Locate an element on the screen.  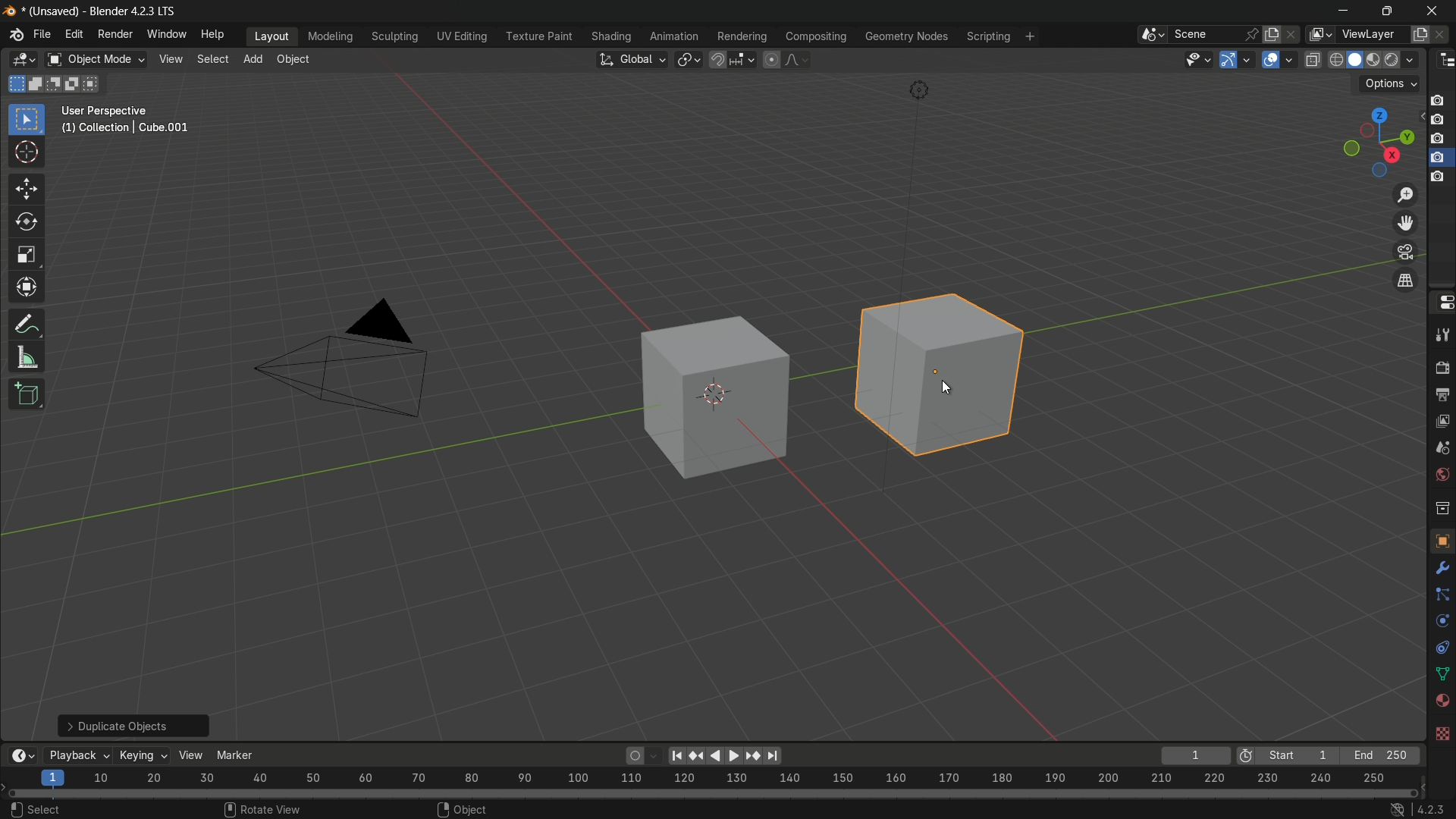
Before Screen is located at coordinates (675, 753).